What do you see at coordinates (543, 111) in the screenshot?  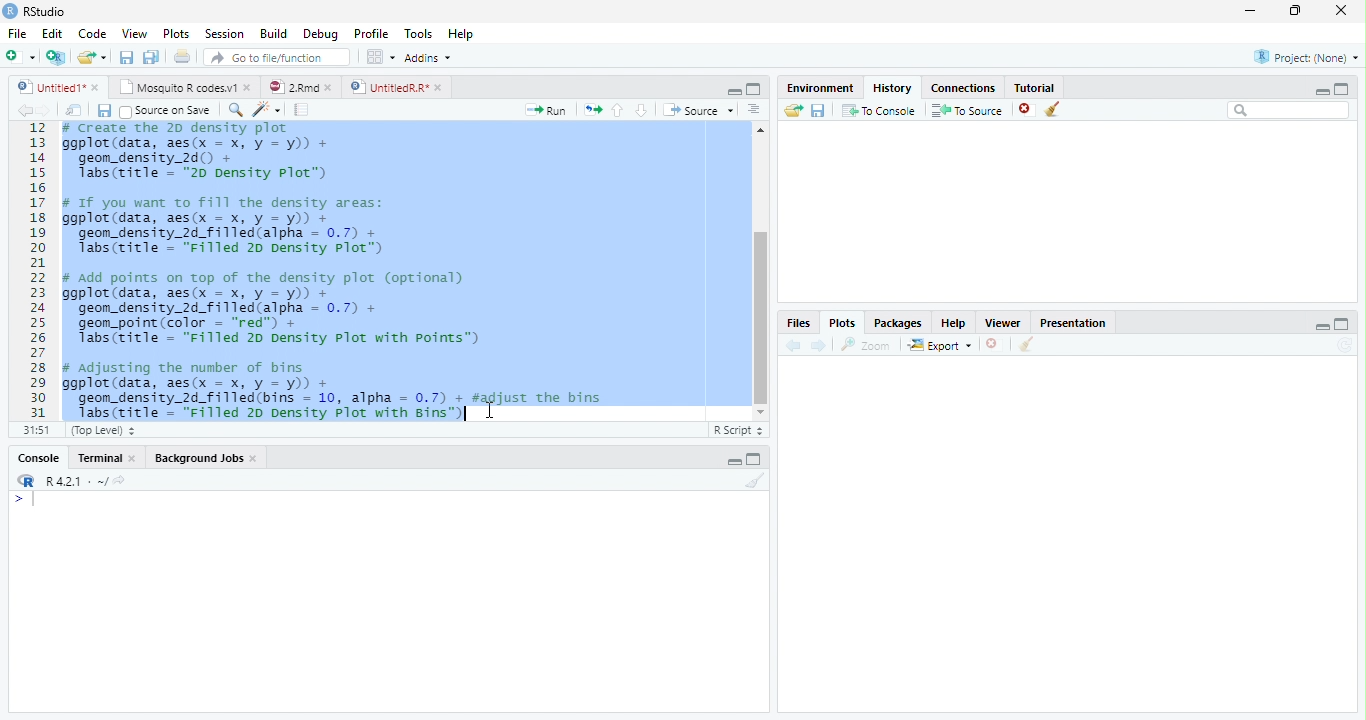 I see `Run` at bounding box center [543, 111].